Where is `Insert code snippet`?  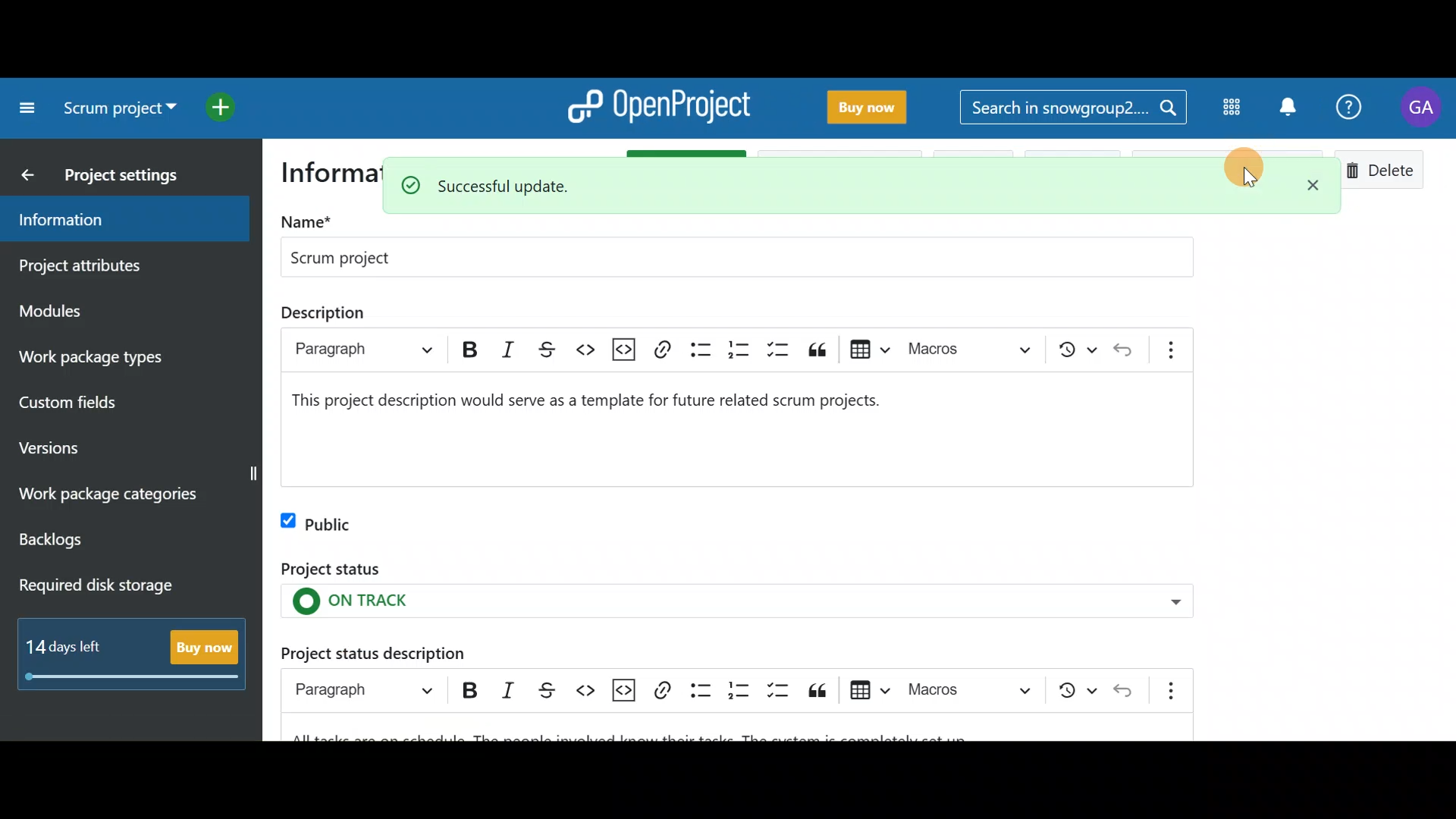
Insert code snippet is located at coordinates (623, 689).